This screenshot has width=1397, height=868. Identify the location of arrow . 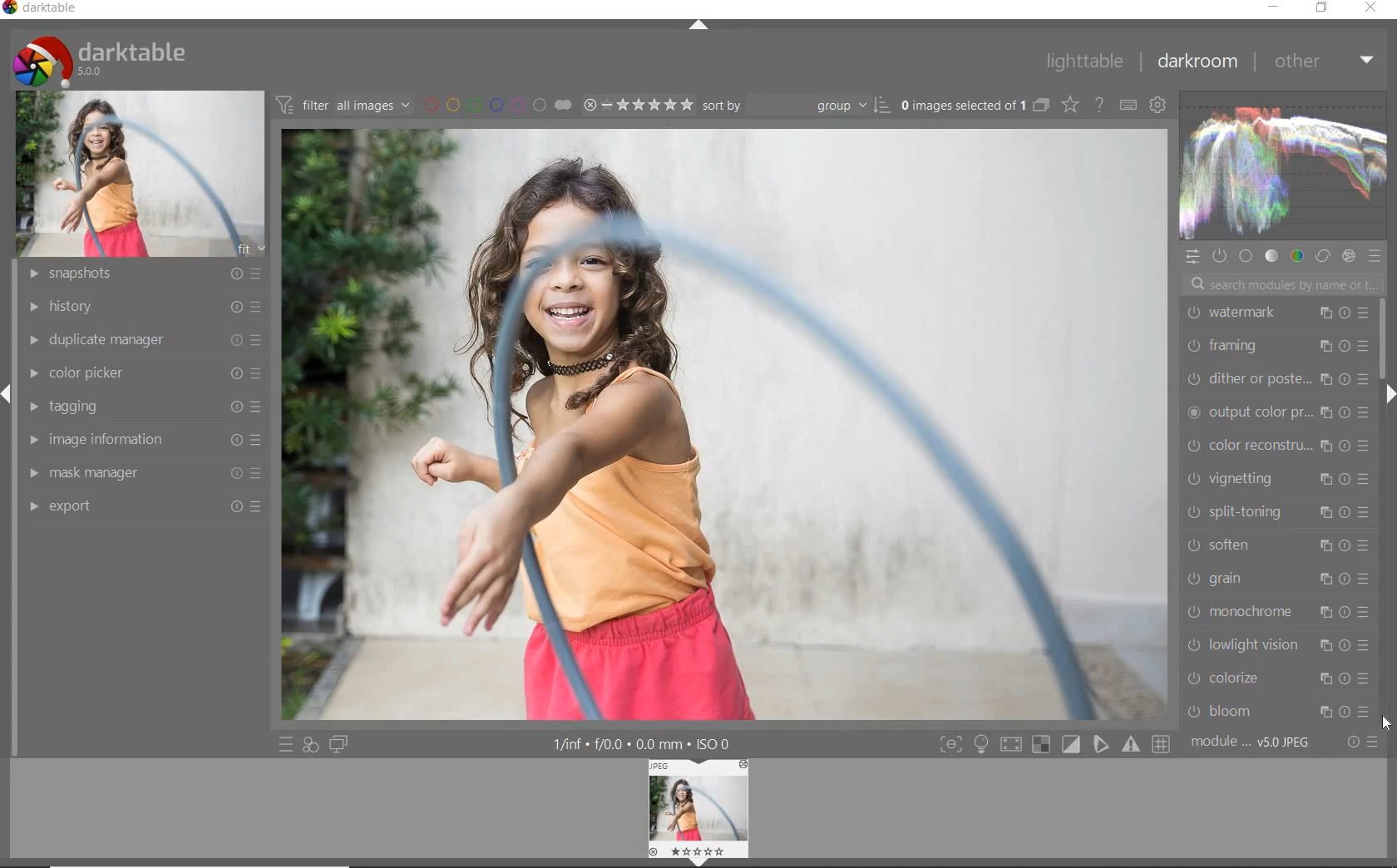
(12, 396).